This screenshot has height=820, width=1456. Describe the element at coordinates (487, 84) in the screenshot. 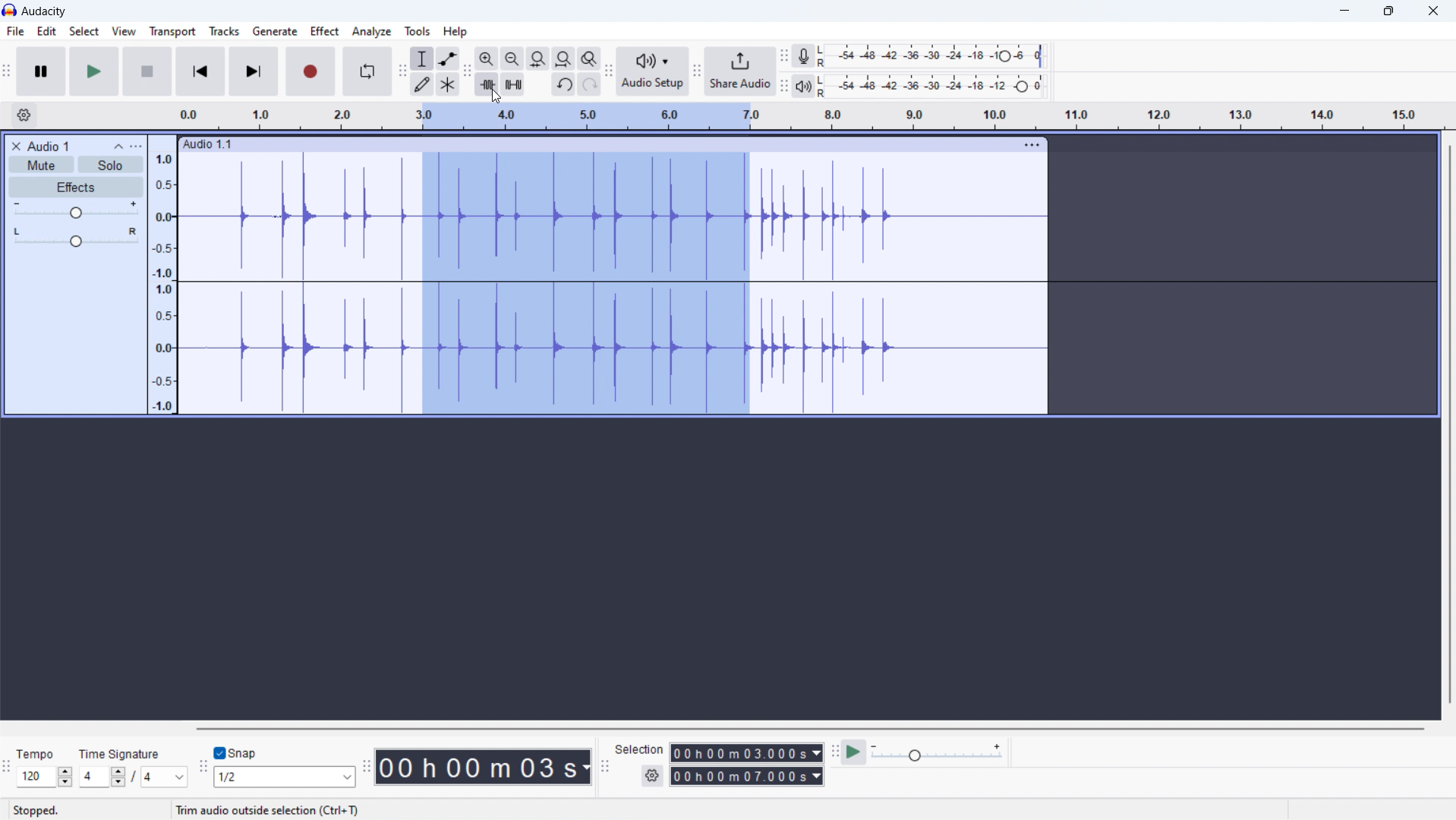

I see `trim audio outside selection` at that location.